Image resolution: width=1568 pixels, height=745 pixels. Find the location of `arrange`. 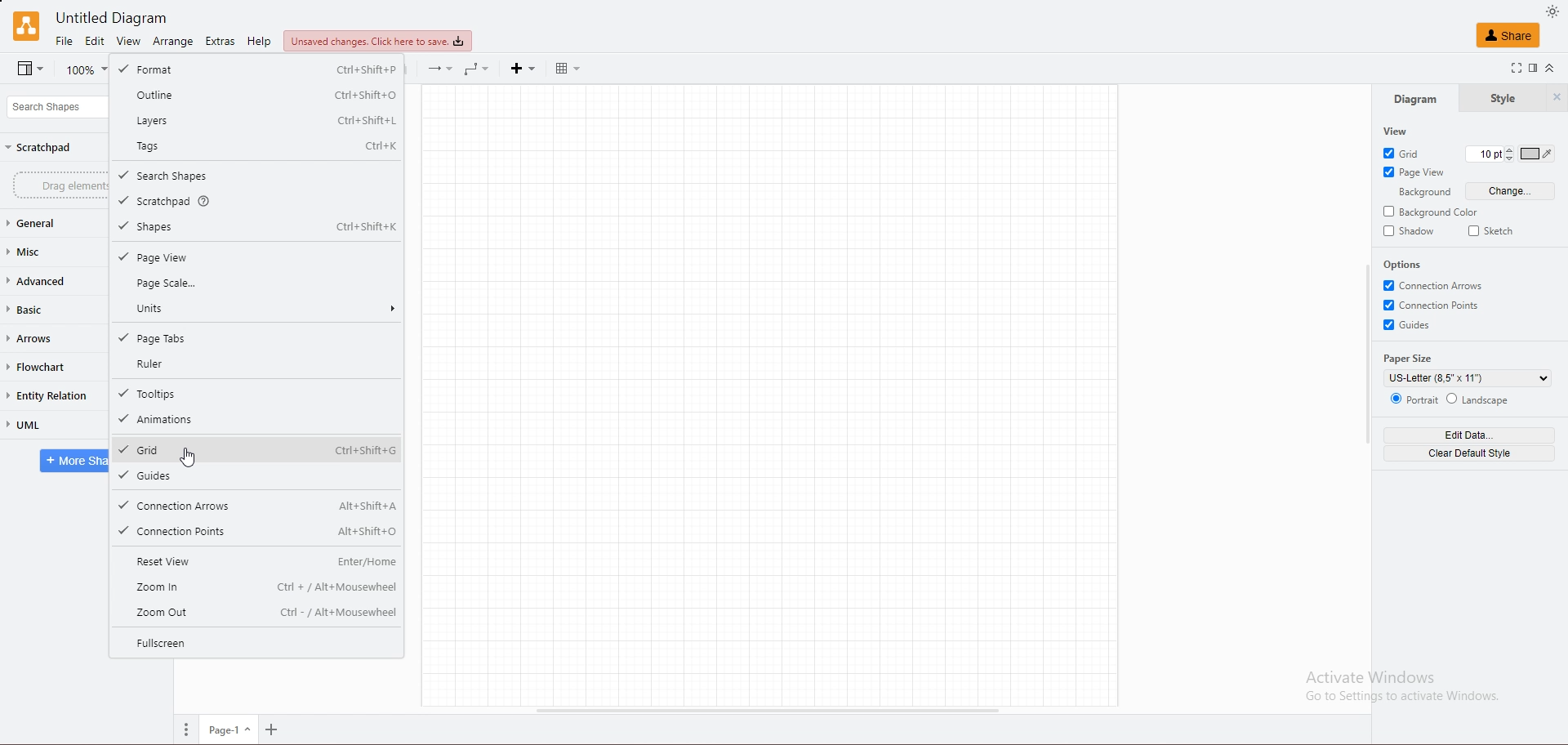

arrange is located at coordinates (172, 41).